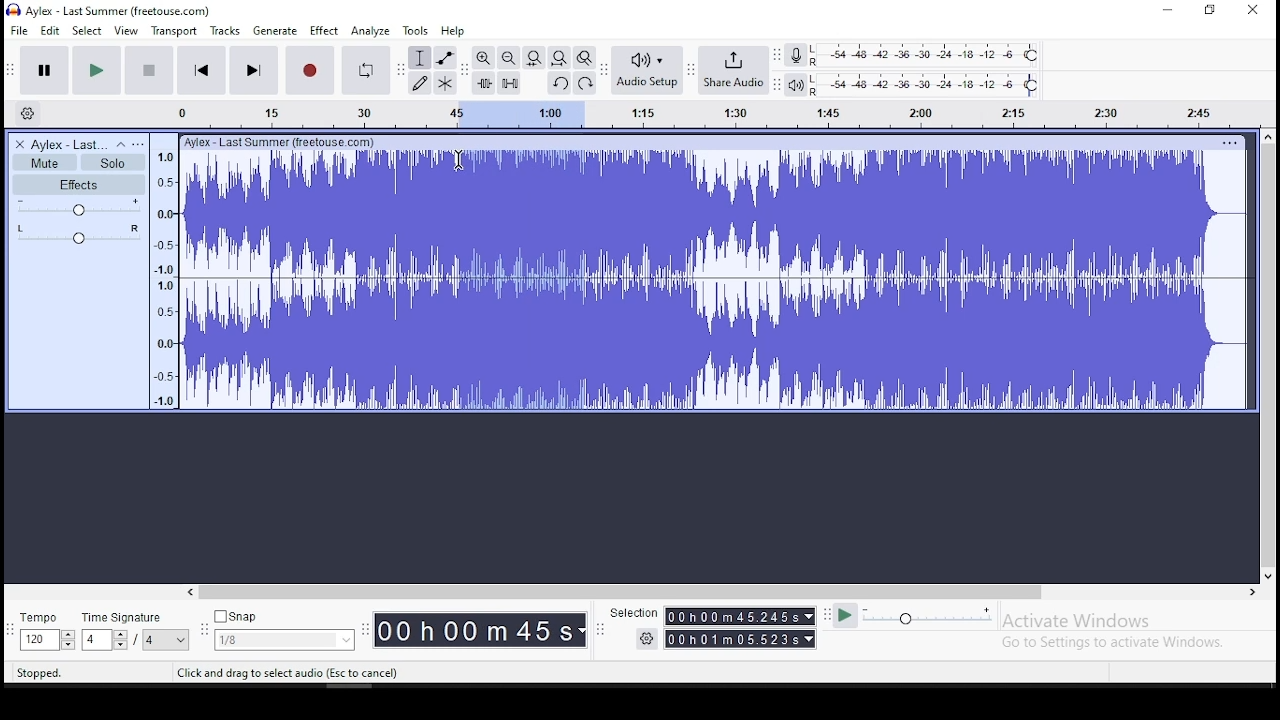 Image resolution: width=1280 pixels, height=720 pixels. Describe the element at coordinates (483, 82) in the screenshot. I see `trim audio outside selection` at that location.